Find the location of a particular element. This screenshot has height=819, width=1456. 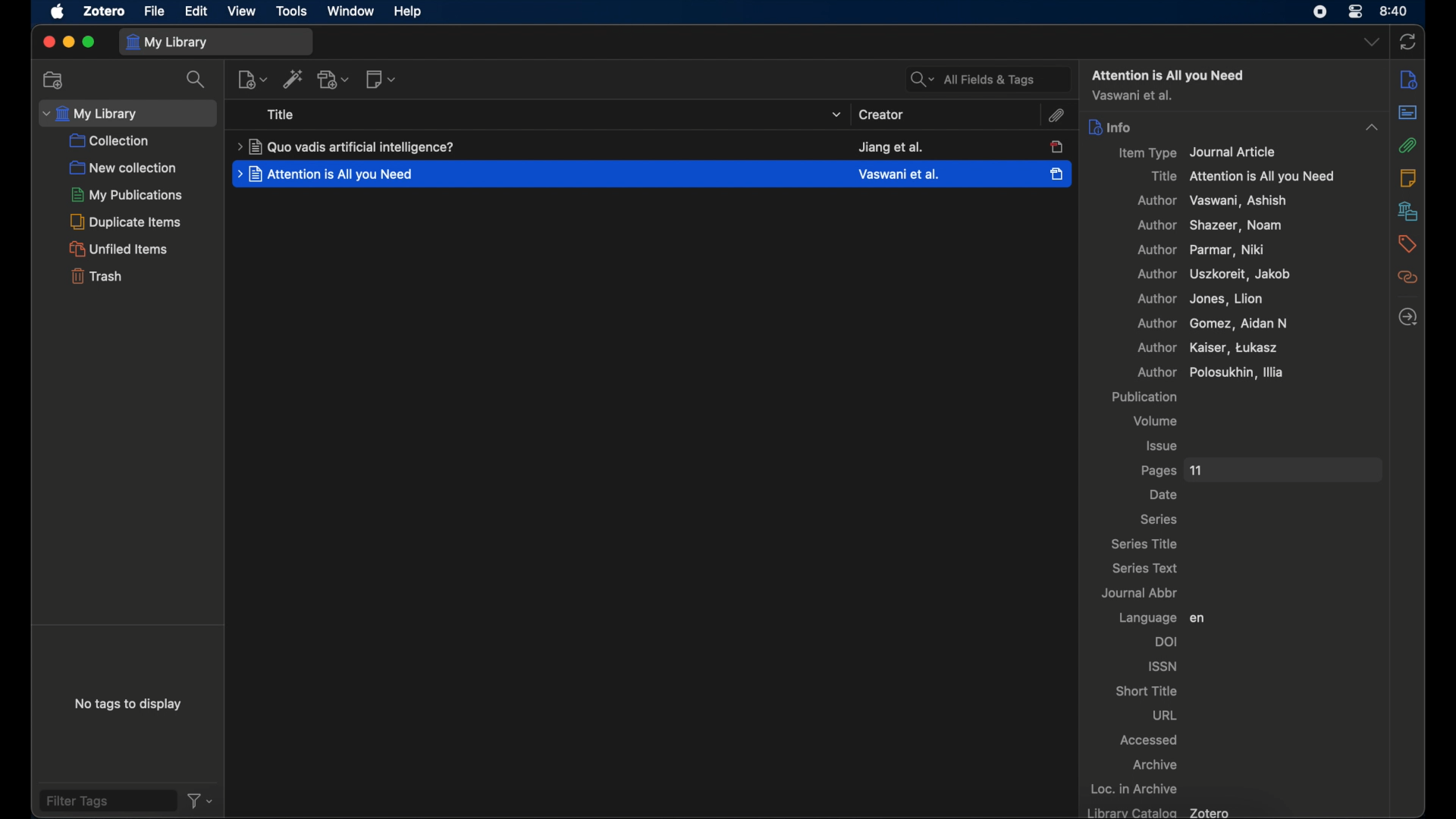

unified items is located at coordinates (119, 249).